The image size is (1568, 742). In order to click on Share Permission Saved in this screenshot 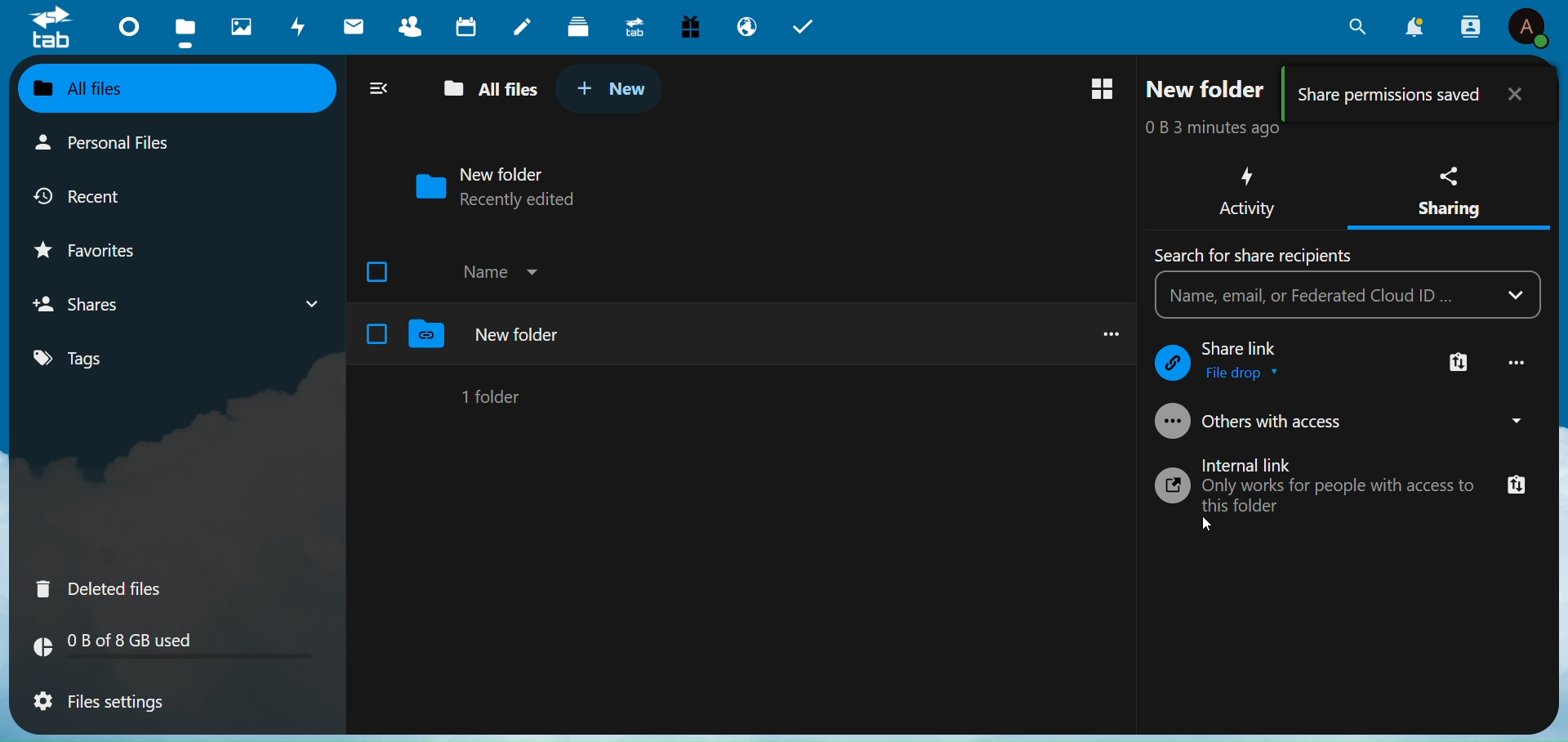, I will do `click(1391, 94)`.